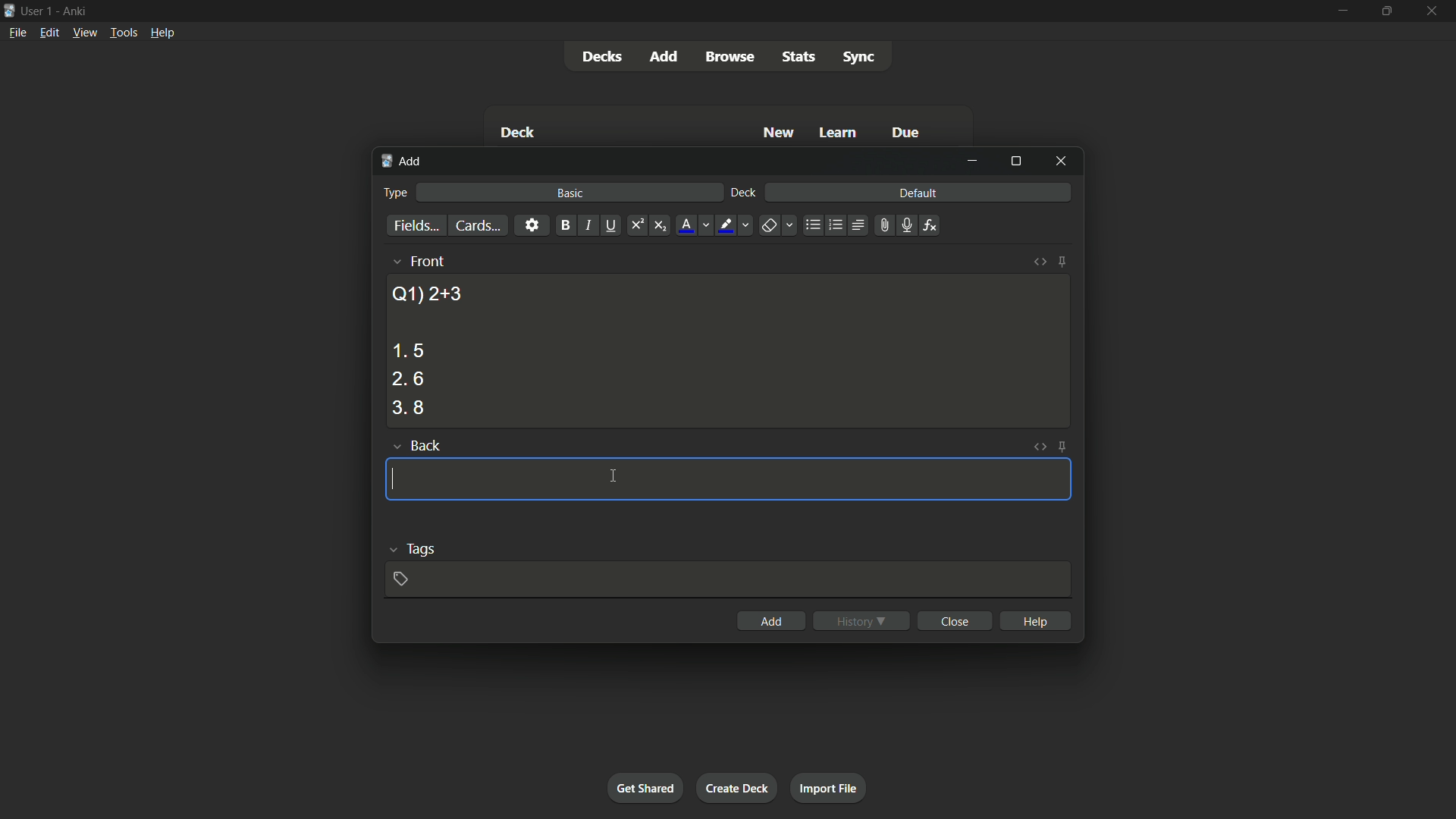  I want to click on highlight text, so click(723, 226).